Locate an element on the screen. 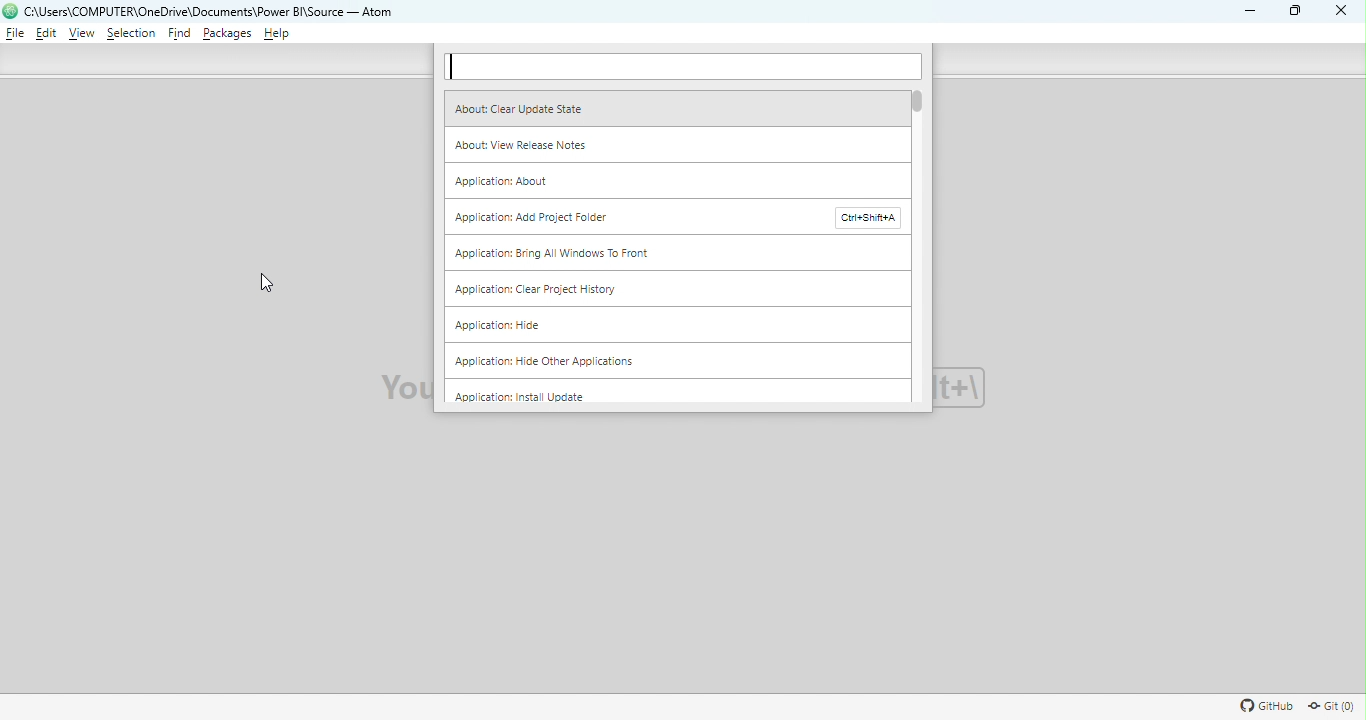  Application: Bring all windows to front is located at coordinates (672, 255).